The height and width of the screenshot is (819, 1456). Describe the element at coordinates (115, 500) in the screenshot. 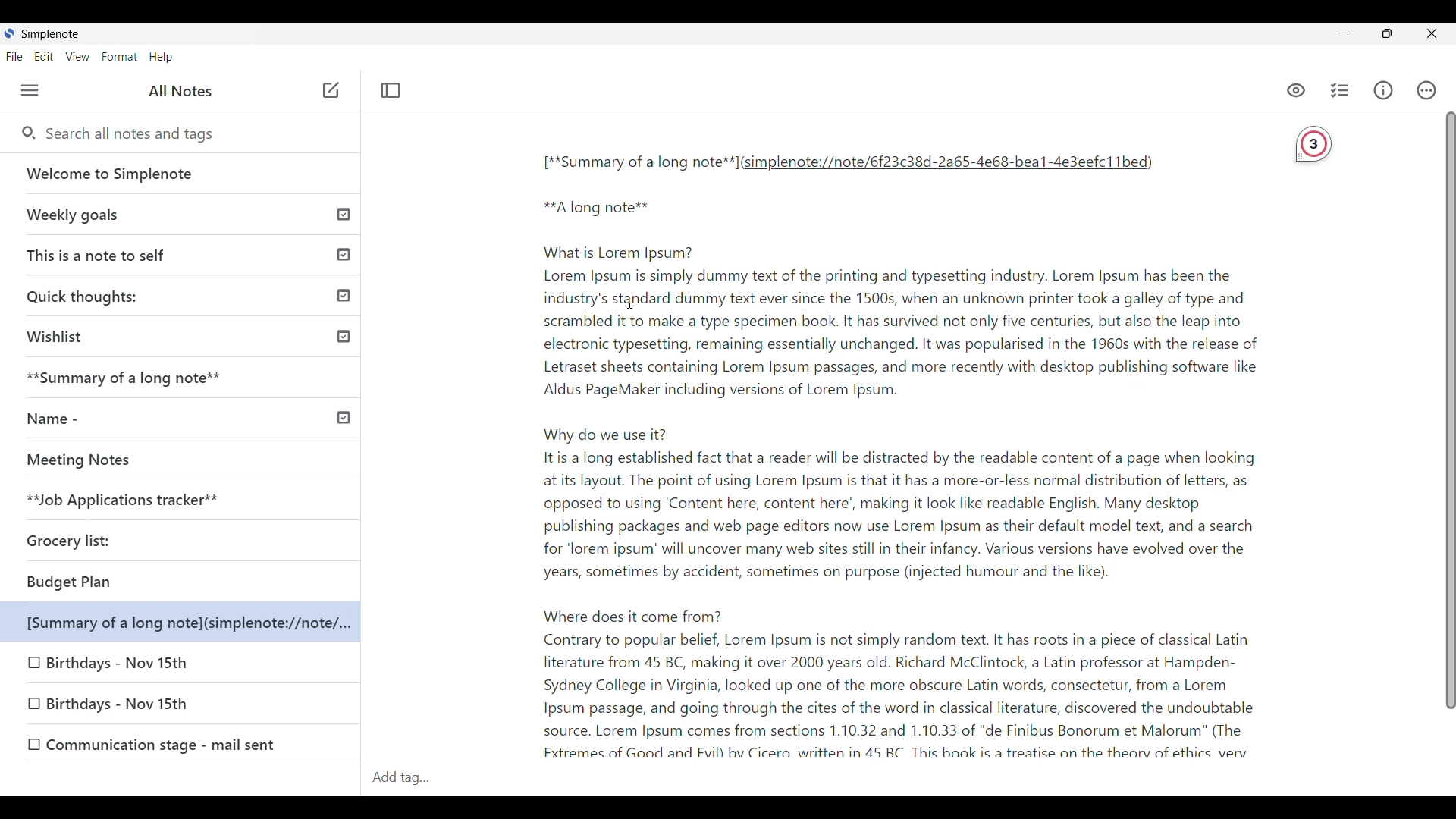

I see `Job Applications tracker` at that location.